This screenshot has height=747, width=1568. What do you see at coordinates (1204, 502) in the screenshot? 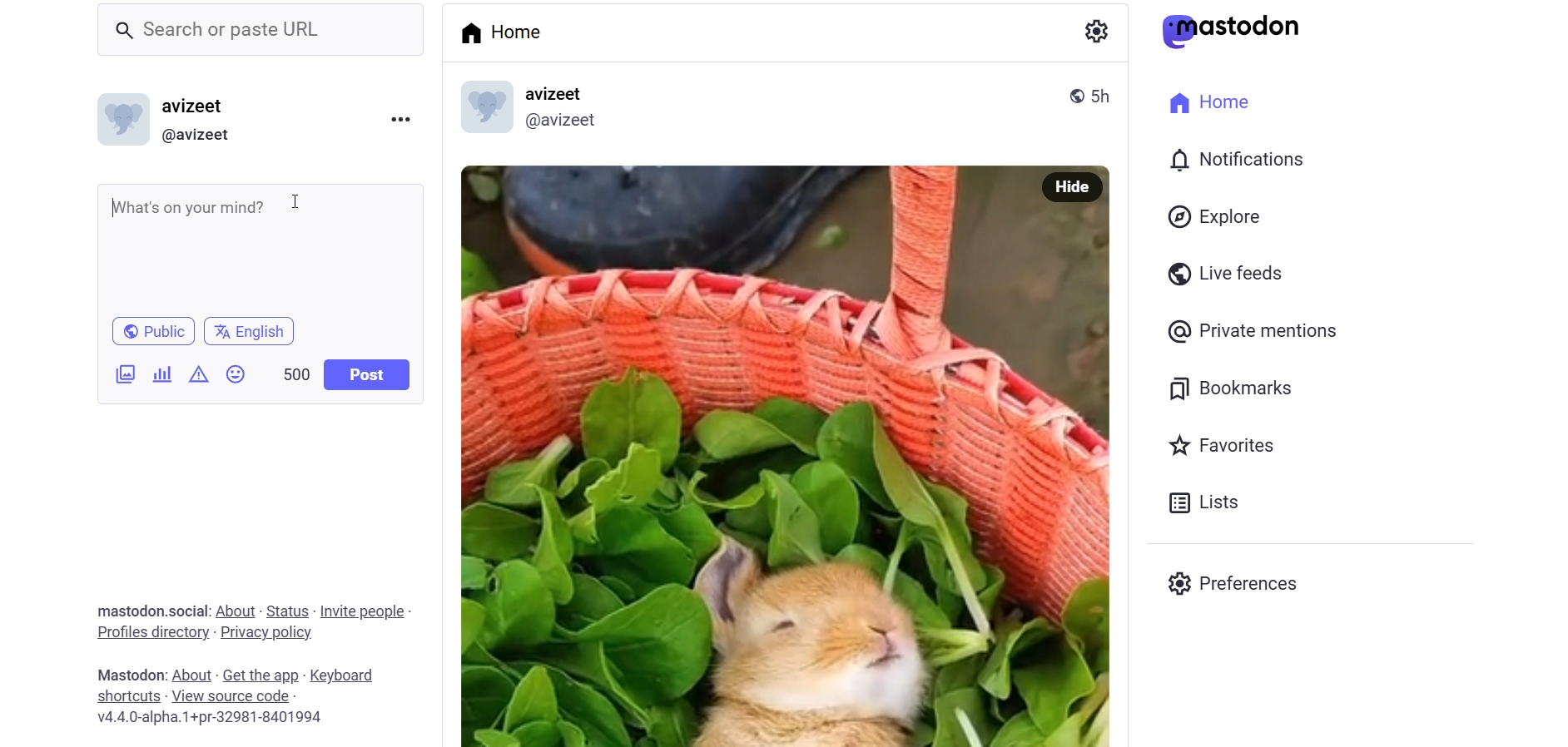
I see `list` at bounding box center [1204, 502].